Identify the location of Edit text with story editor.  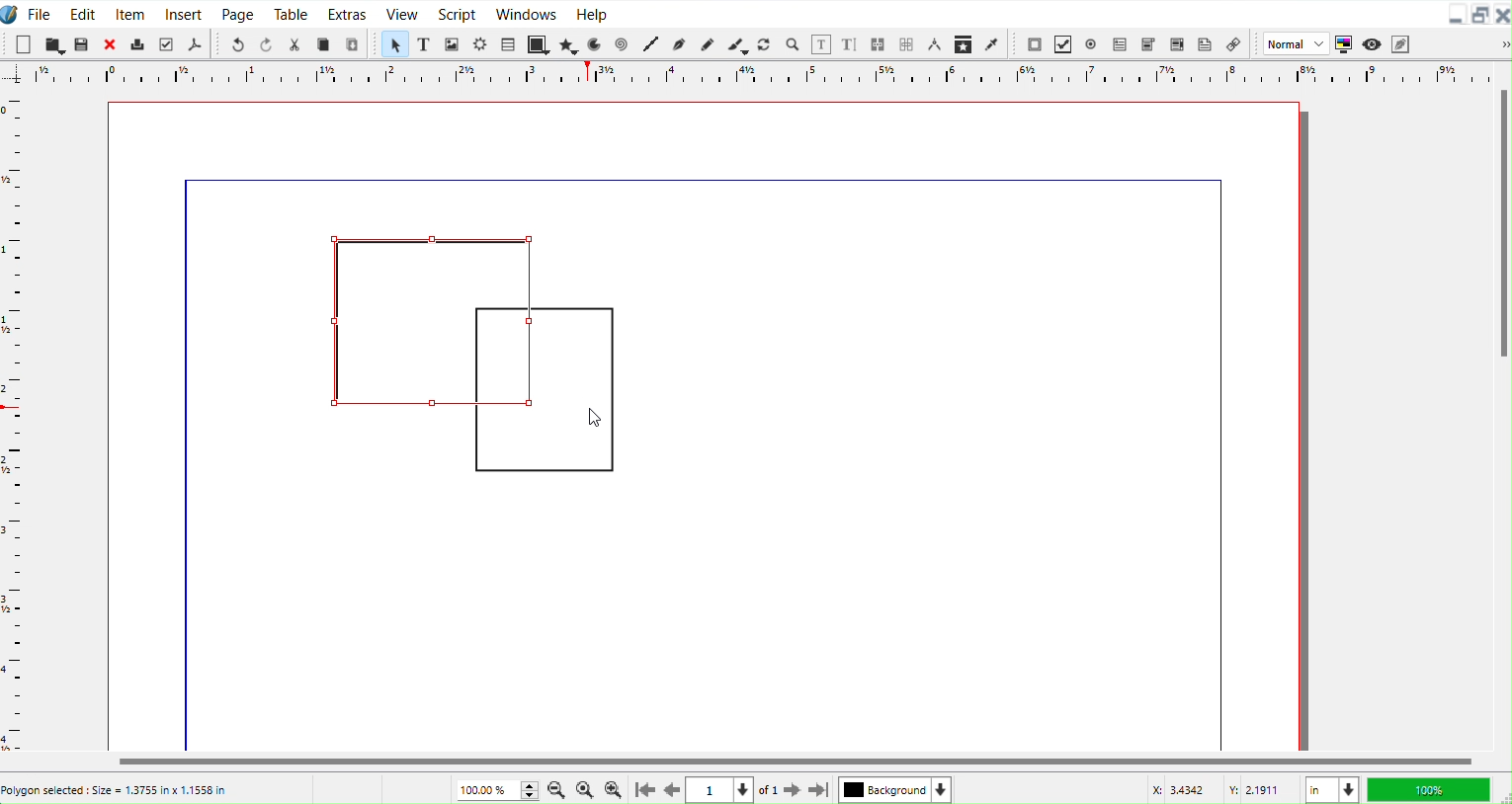
(851, 44).